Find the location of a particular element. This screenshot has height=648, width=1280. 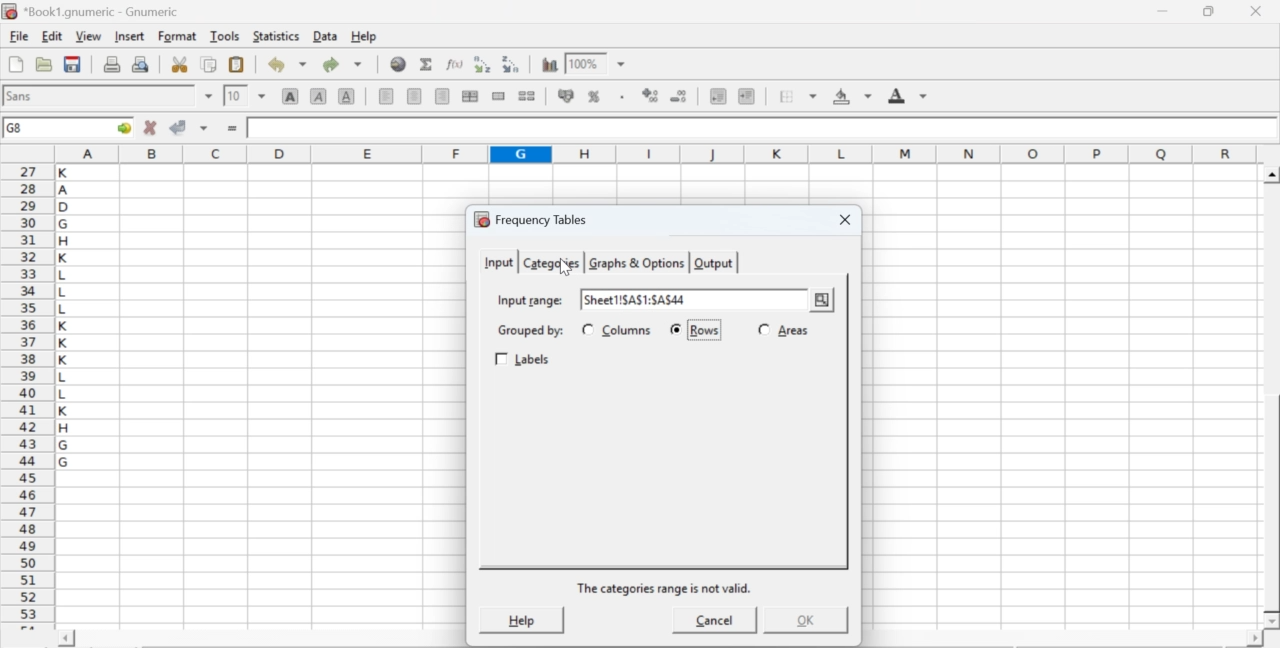

application name is located at coordinates (94, 9).